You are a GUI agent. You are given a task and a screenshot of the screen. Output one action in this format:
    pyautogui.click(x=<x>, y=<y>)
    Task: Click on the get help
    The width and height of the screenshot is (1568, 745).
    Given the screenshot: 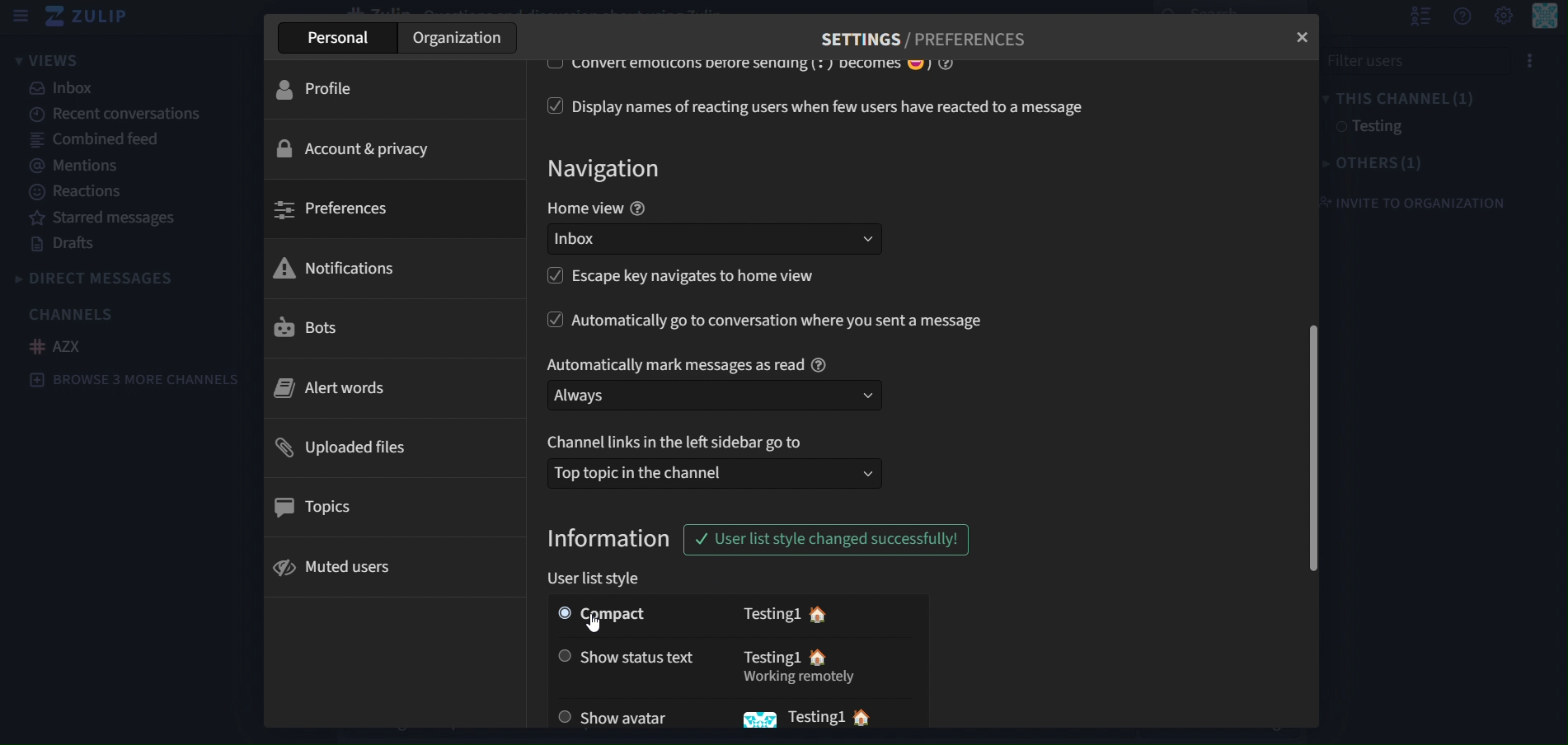 What is the action you would take?
    pyautogui.click(x=1461, y=18)
    